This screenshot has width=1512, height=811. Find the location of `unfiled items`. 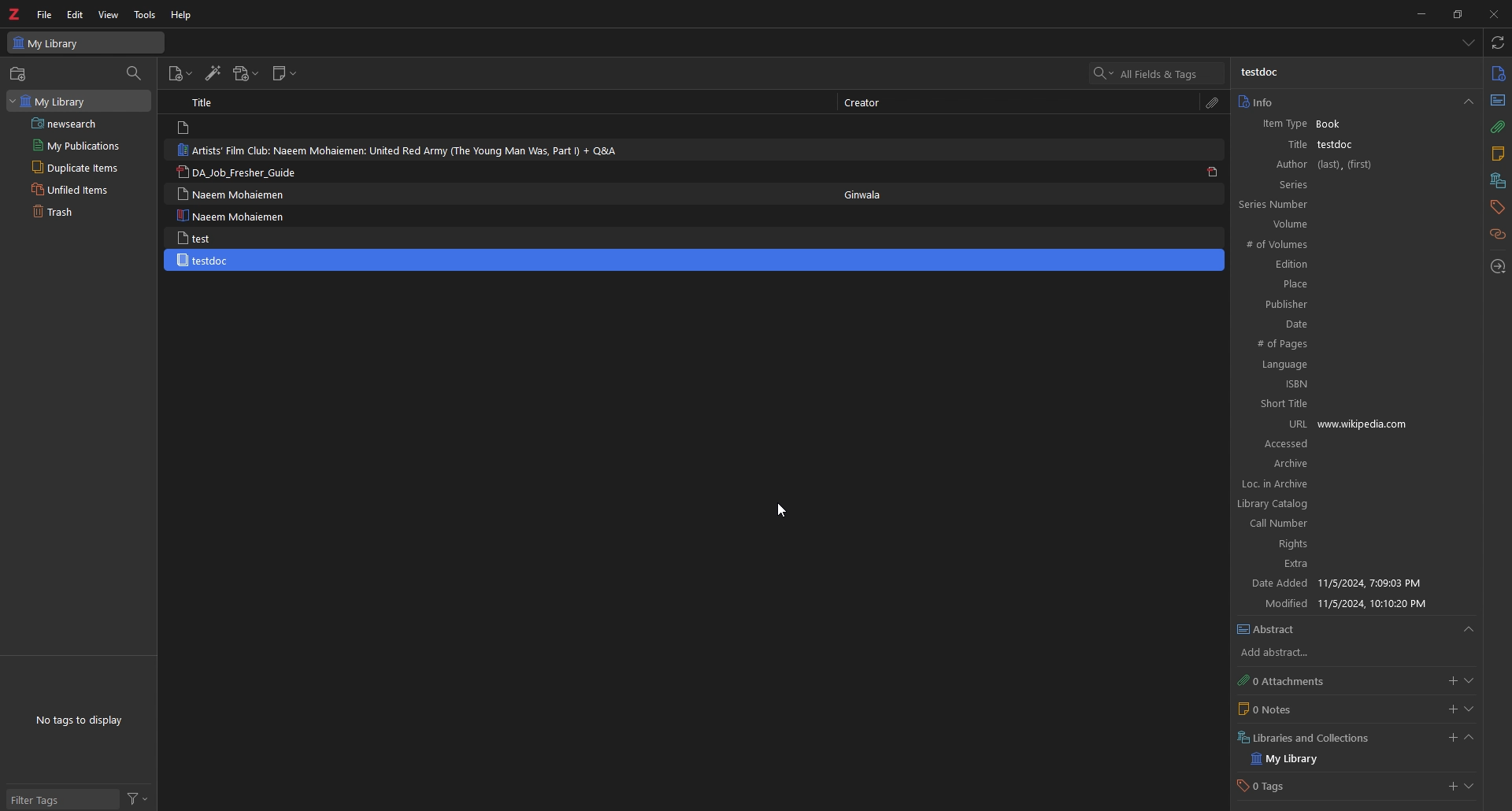

unfiled items is located at coordinates (72, 190).